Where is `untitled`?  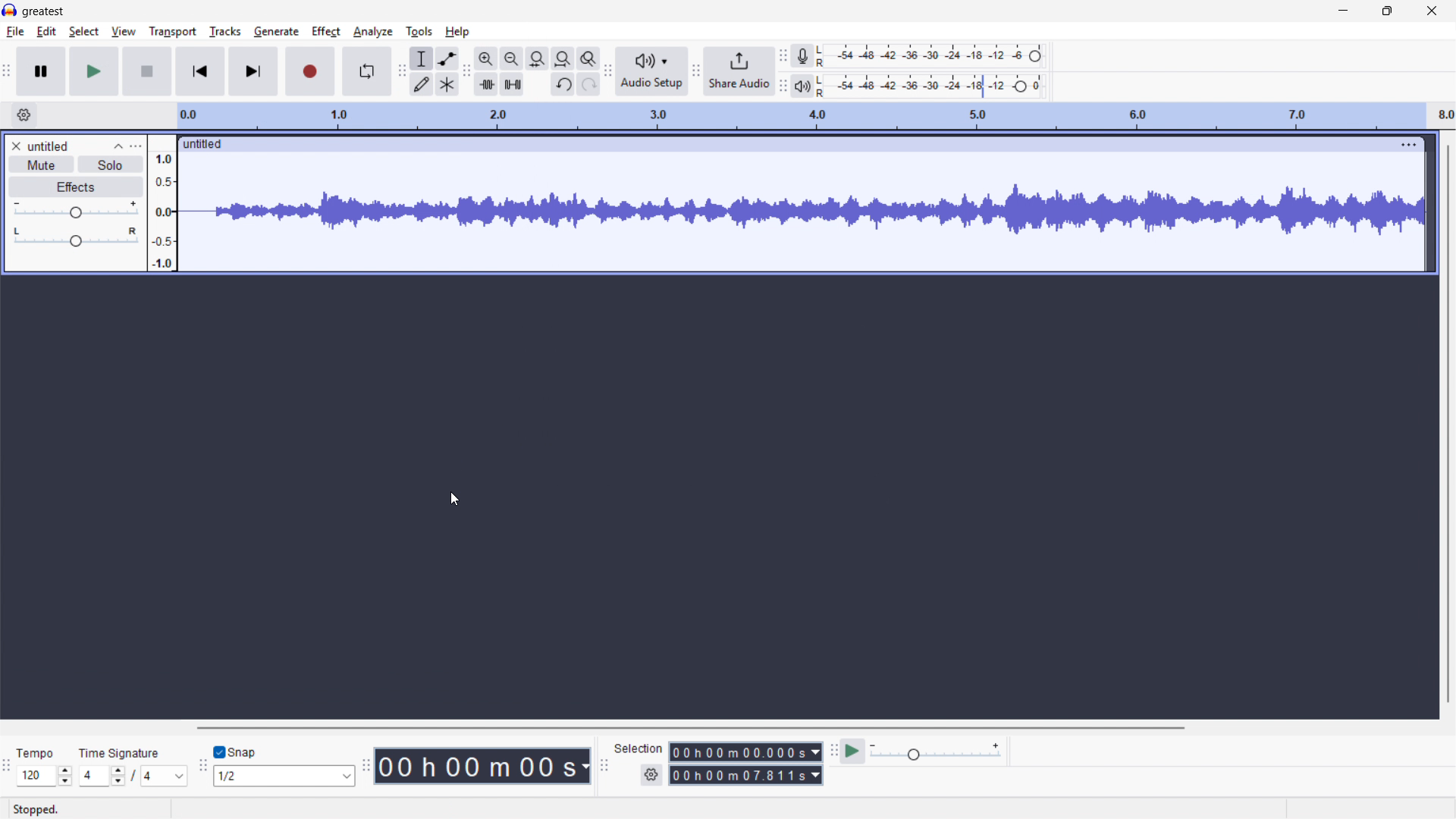 untitled is located at coordinates (49, 146).